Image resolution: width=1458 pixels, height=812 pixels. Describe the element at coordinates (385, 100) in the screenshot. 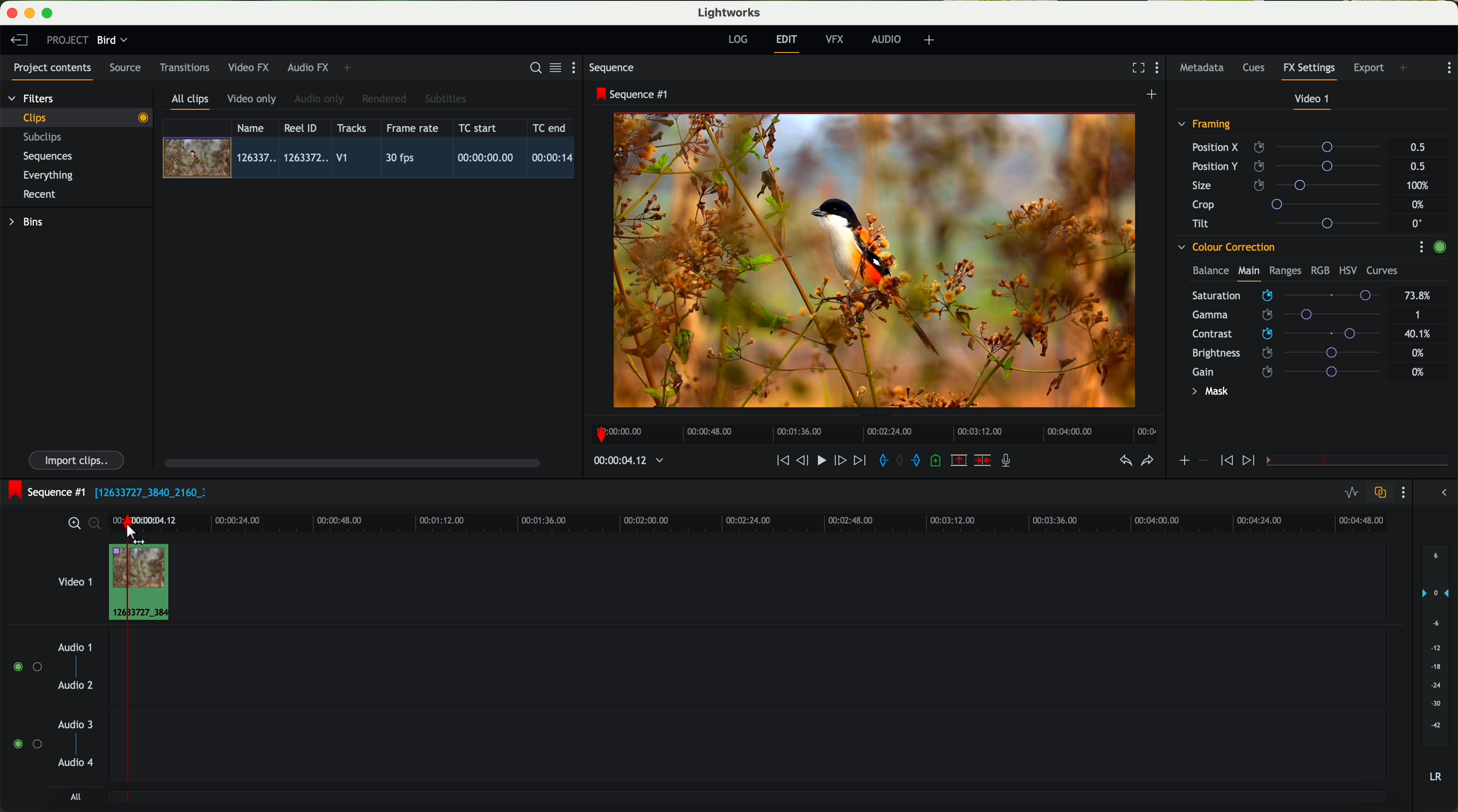

I see `rendered` at that location.